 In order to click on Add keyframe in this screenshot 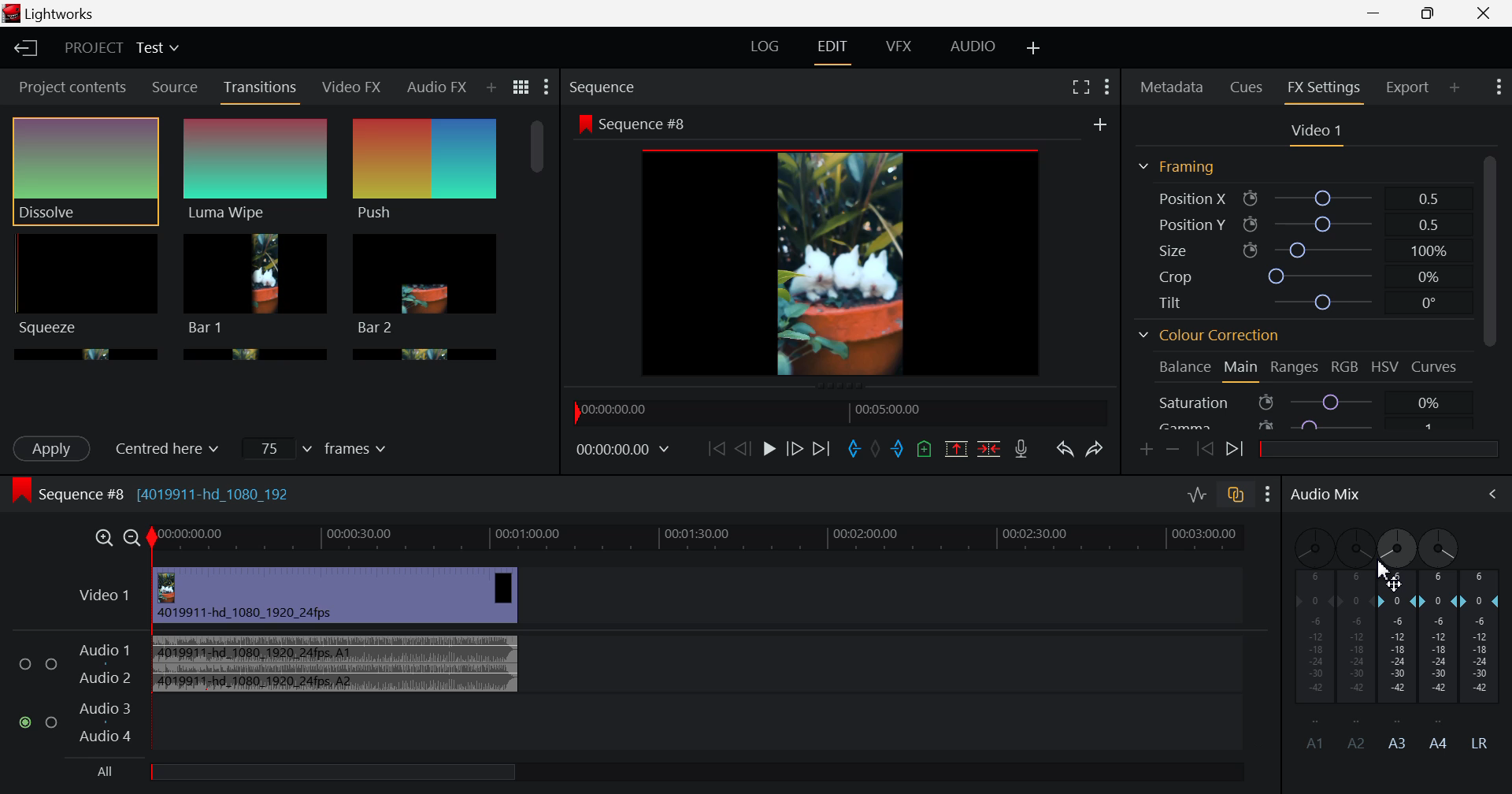, I will do `click(1143, 451)`.